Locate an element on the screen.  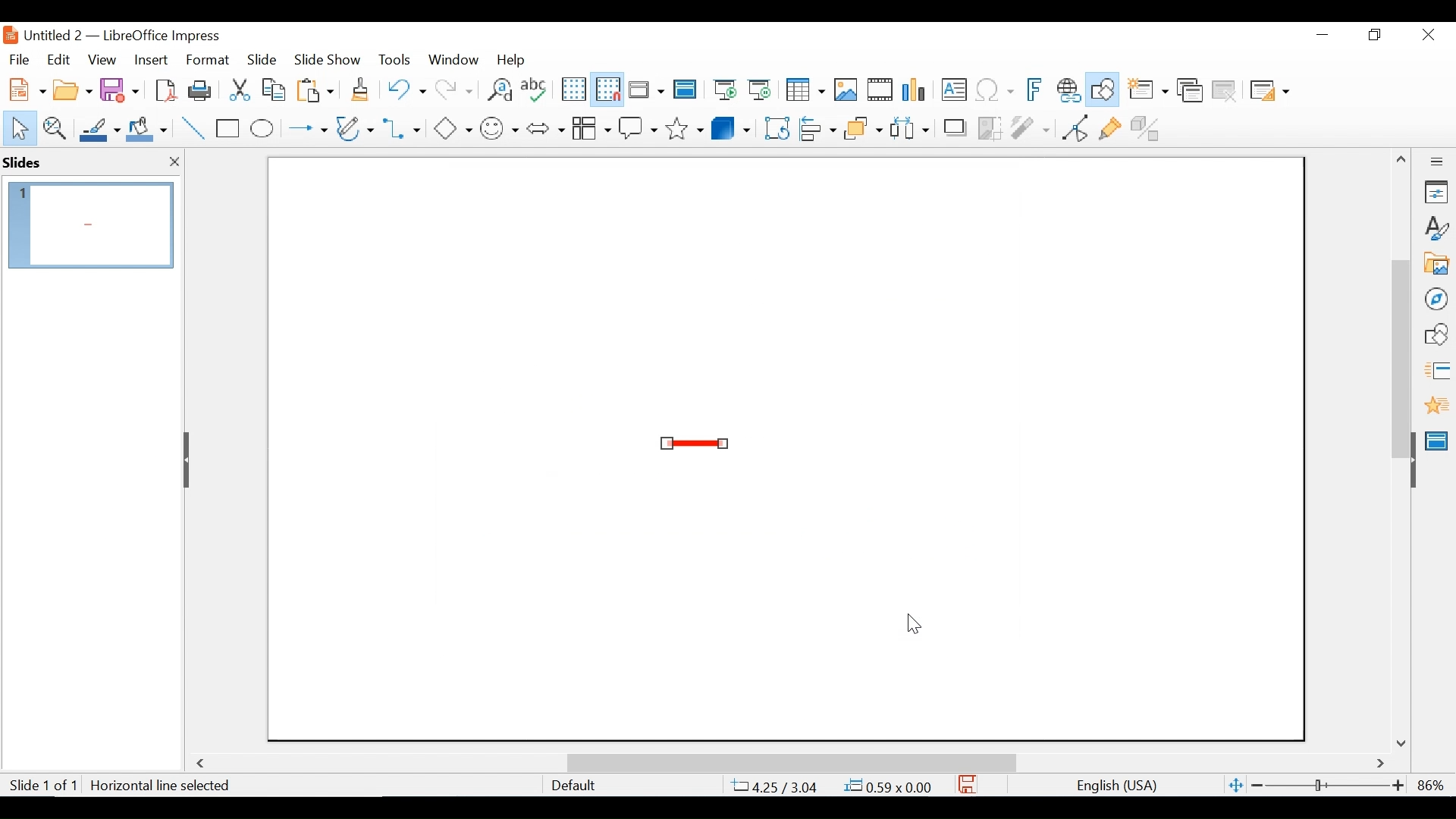
Minimize is located at coordinates (1321, 35).